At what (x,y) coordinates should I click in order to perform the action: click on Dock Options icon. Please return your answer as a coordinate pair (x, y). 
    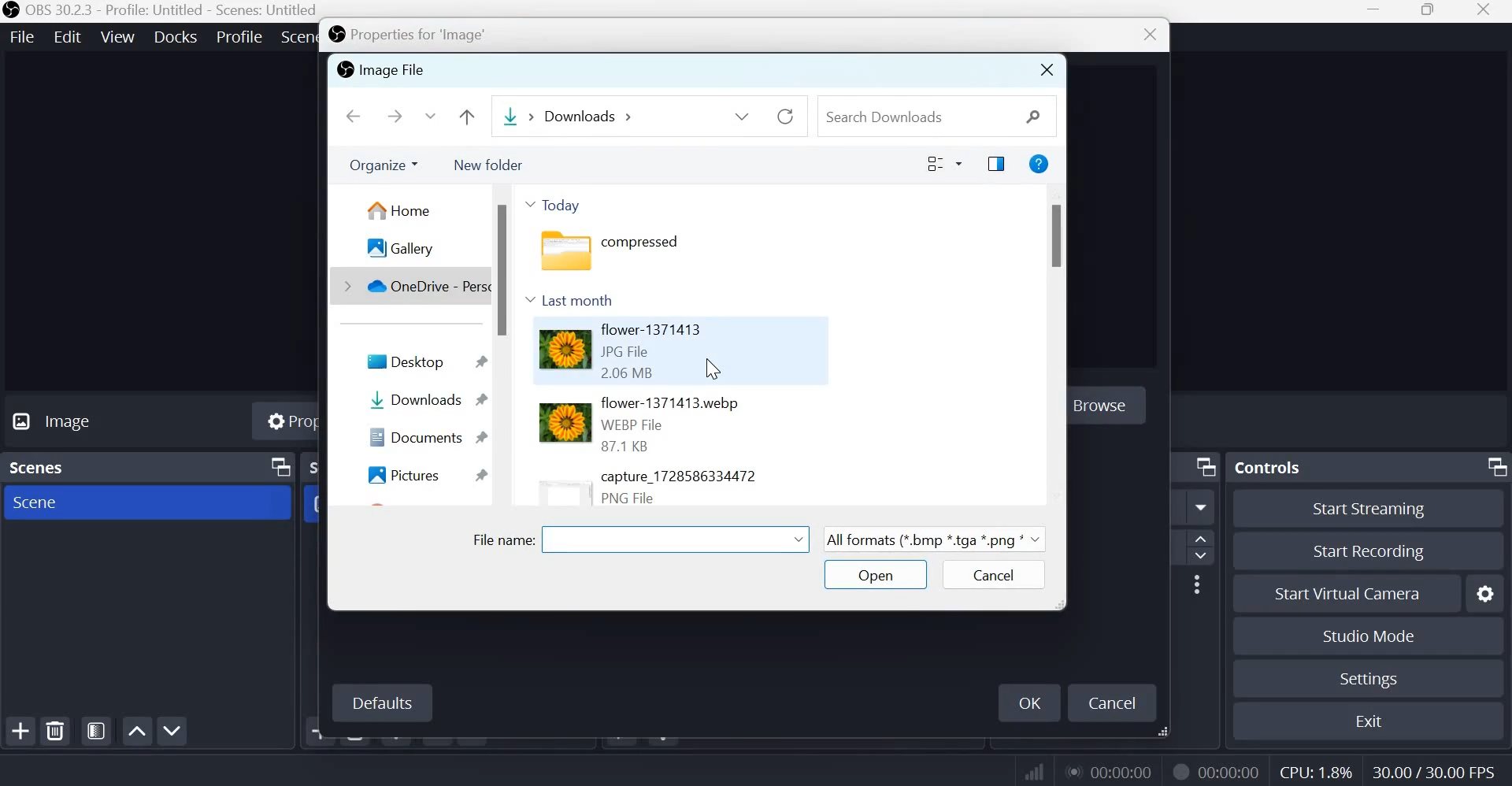
    Looking at the image, I should click on (1206, 467).